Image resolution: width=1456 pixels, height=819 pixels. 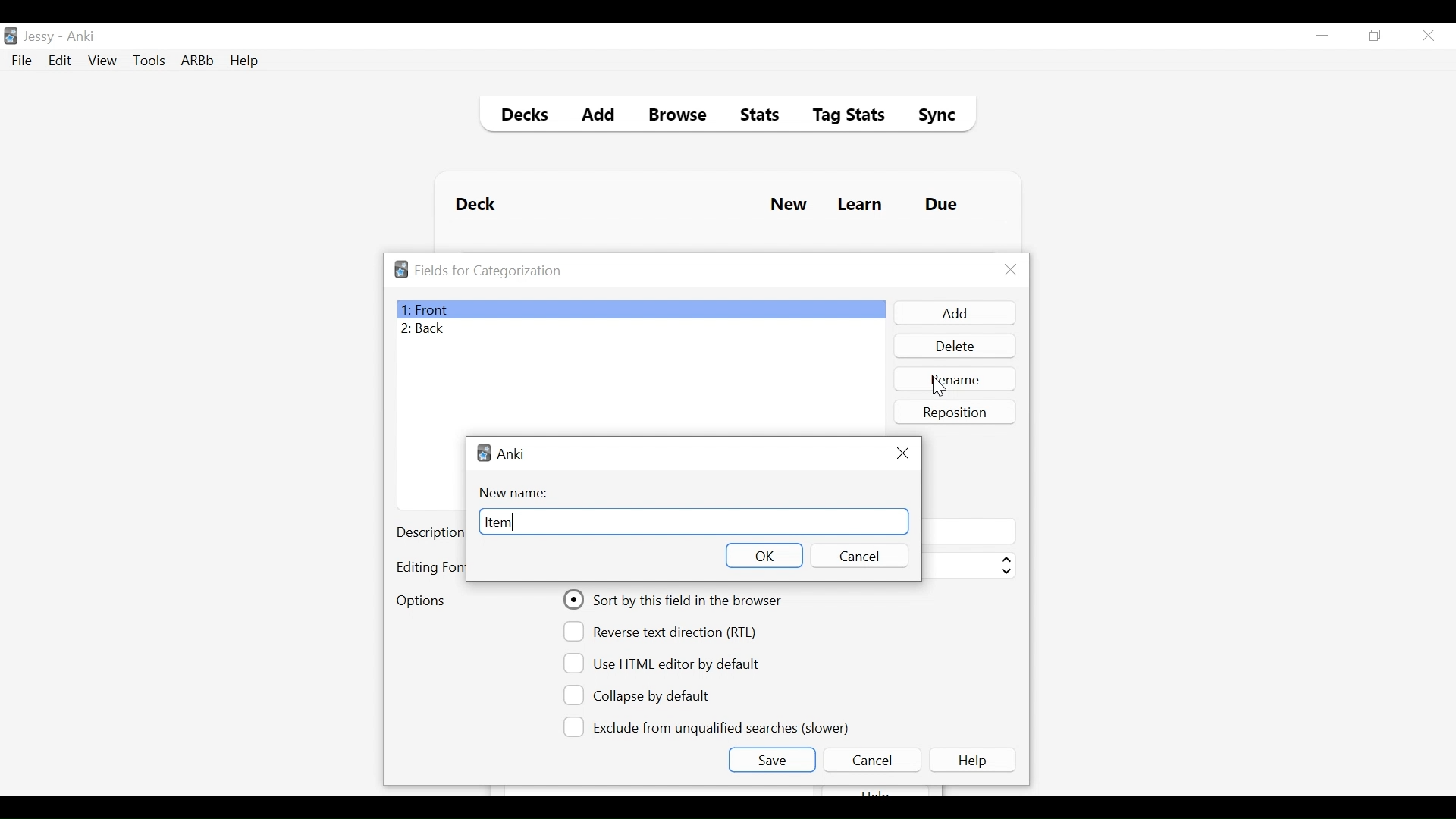 What do you see at coordinates (709, 726) in the screenshot?
I see `(un)select Exclude from unqualified searches` at bounding box center [709, 726].